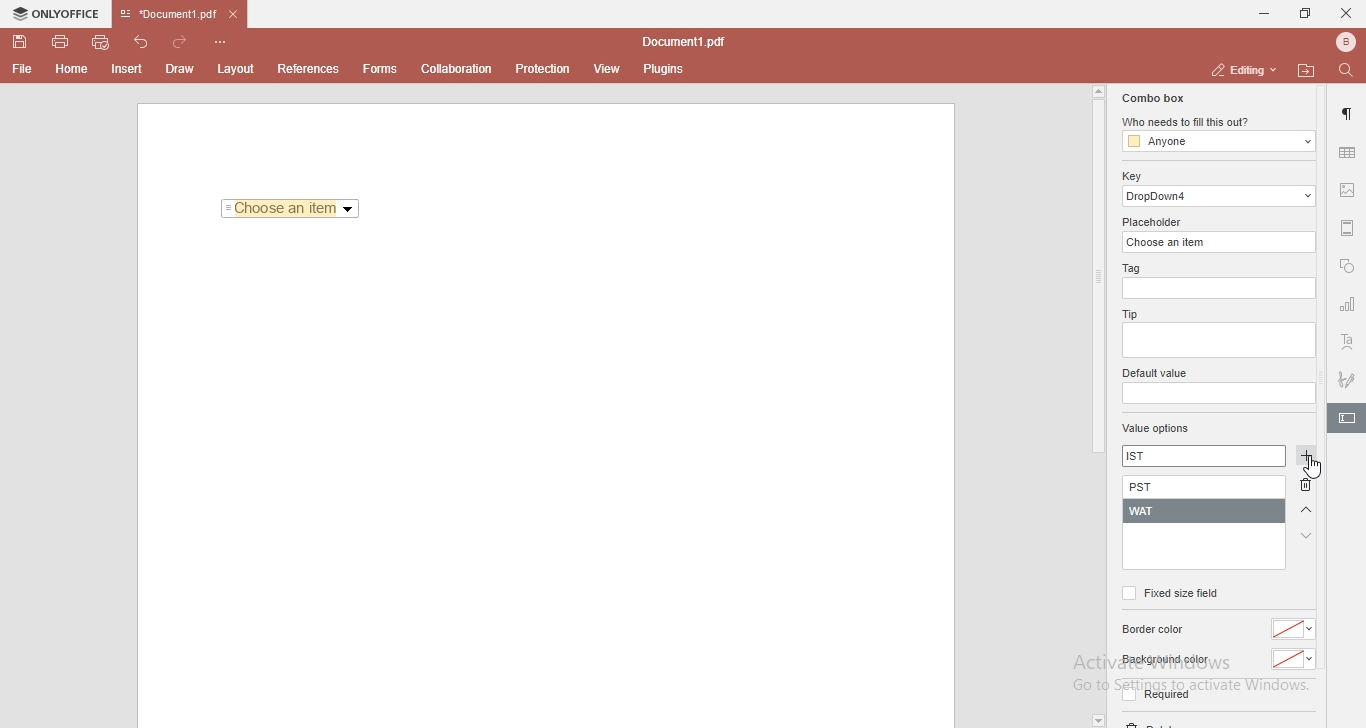  Describe the element at coordinates (1346, 12) in the screenshot. I see `close` at that location.